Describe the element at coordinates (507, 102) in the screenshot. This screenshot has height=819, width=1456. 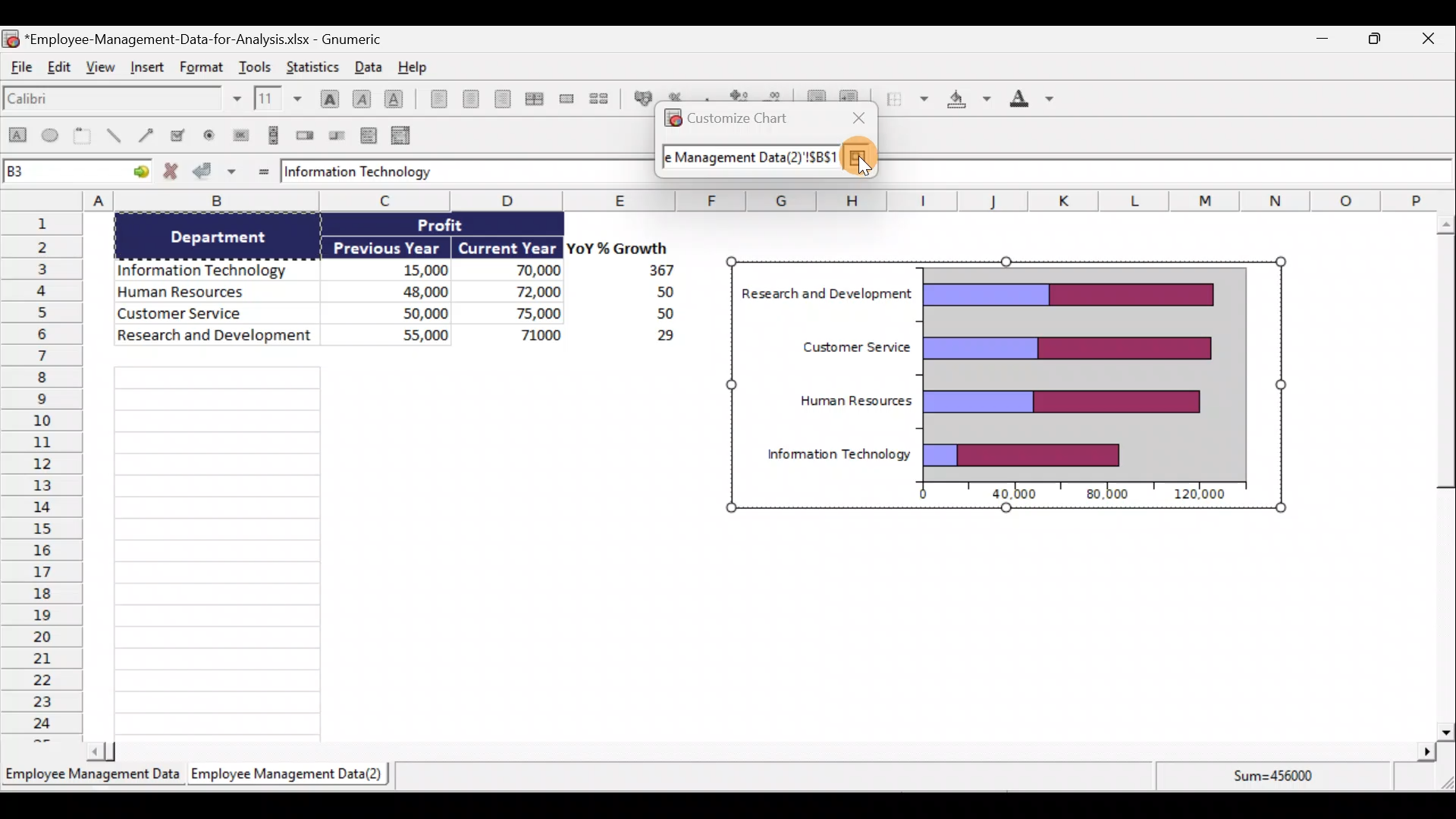
I see `Align right` at that location.